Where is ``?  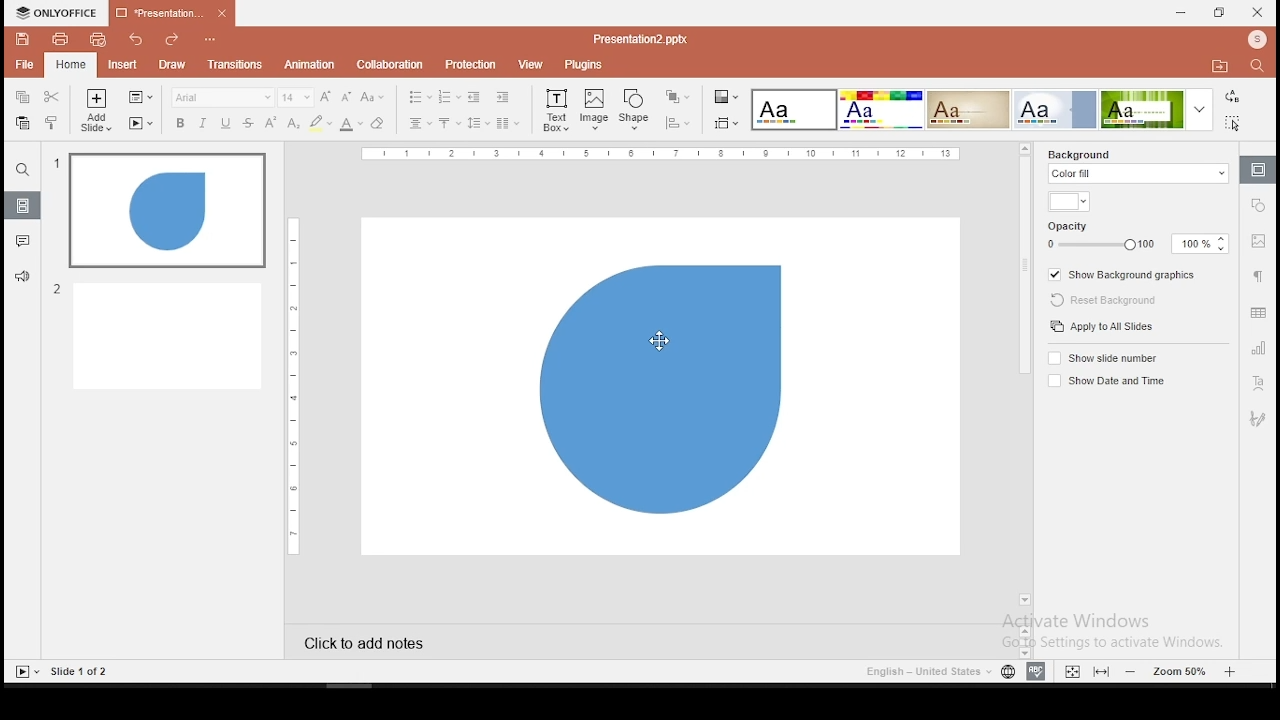
 is located at coordinates (1259, 418).